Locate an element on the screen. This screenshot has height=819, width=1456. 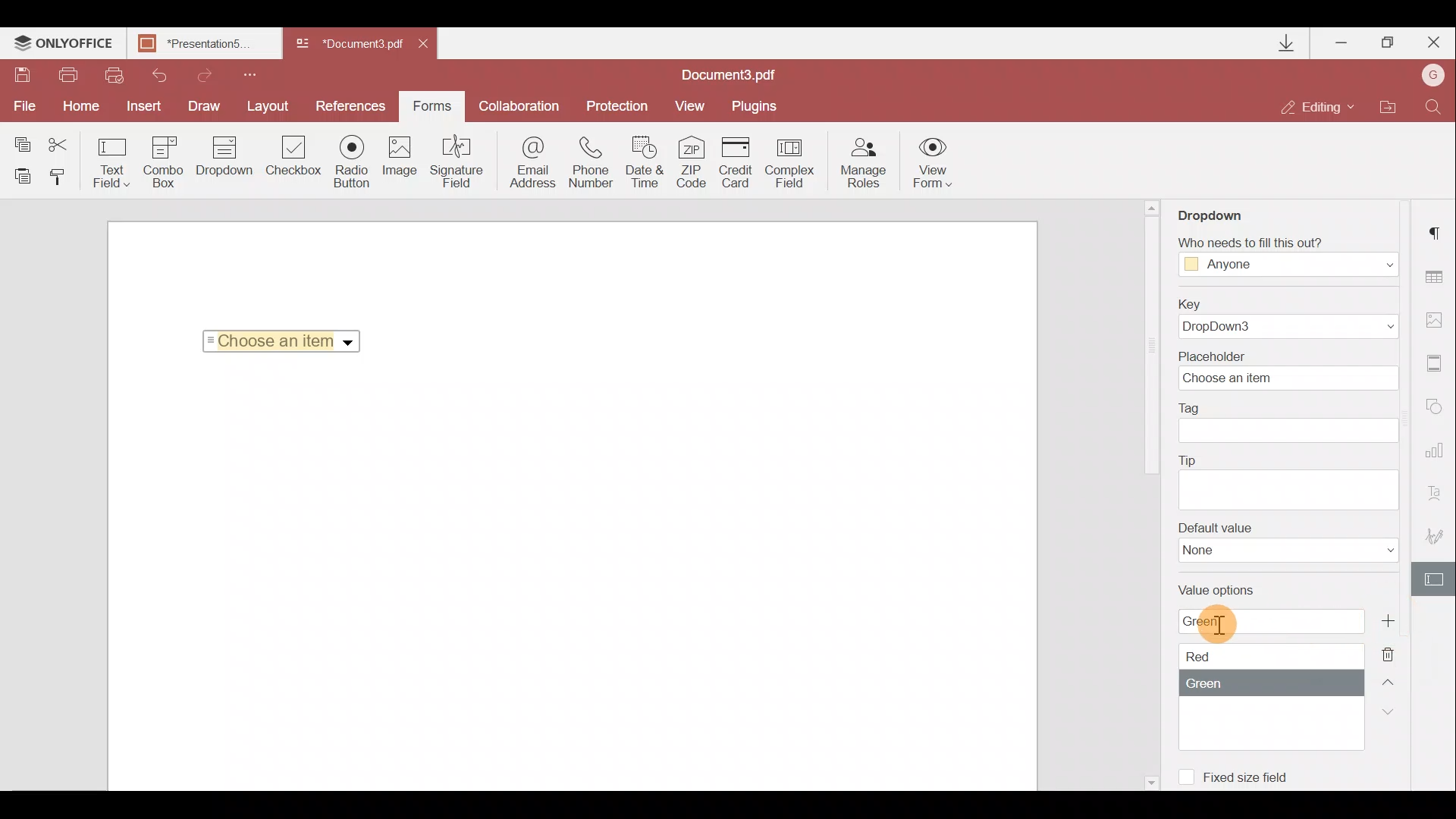
Table settings is located at coordinates (1441, 277).